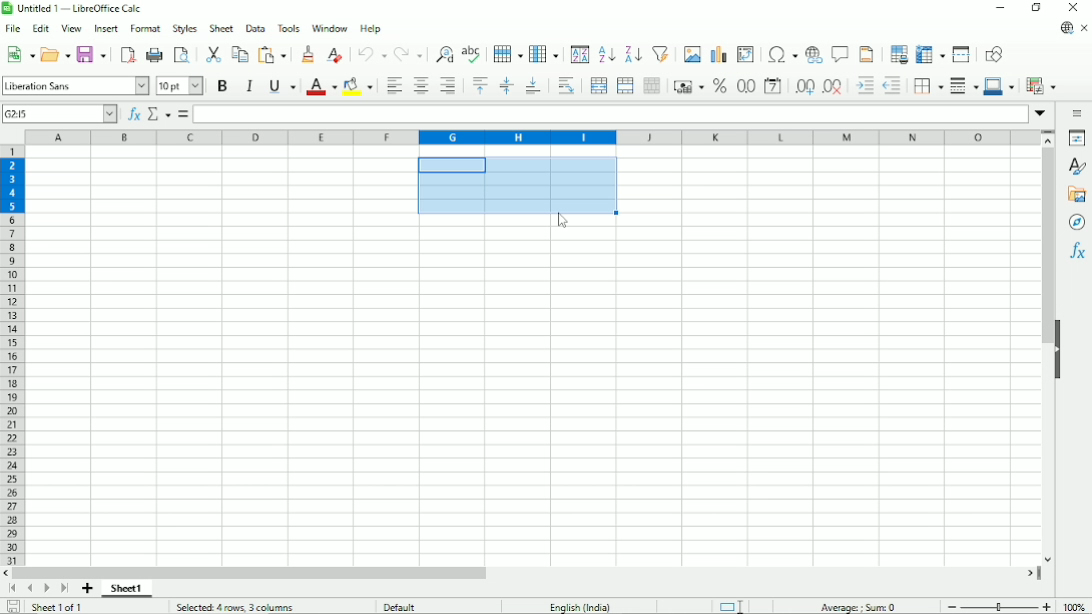 The image size is (1092, 614). I want to click on Default, so click(406, 605).